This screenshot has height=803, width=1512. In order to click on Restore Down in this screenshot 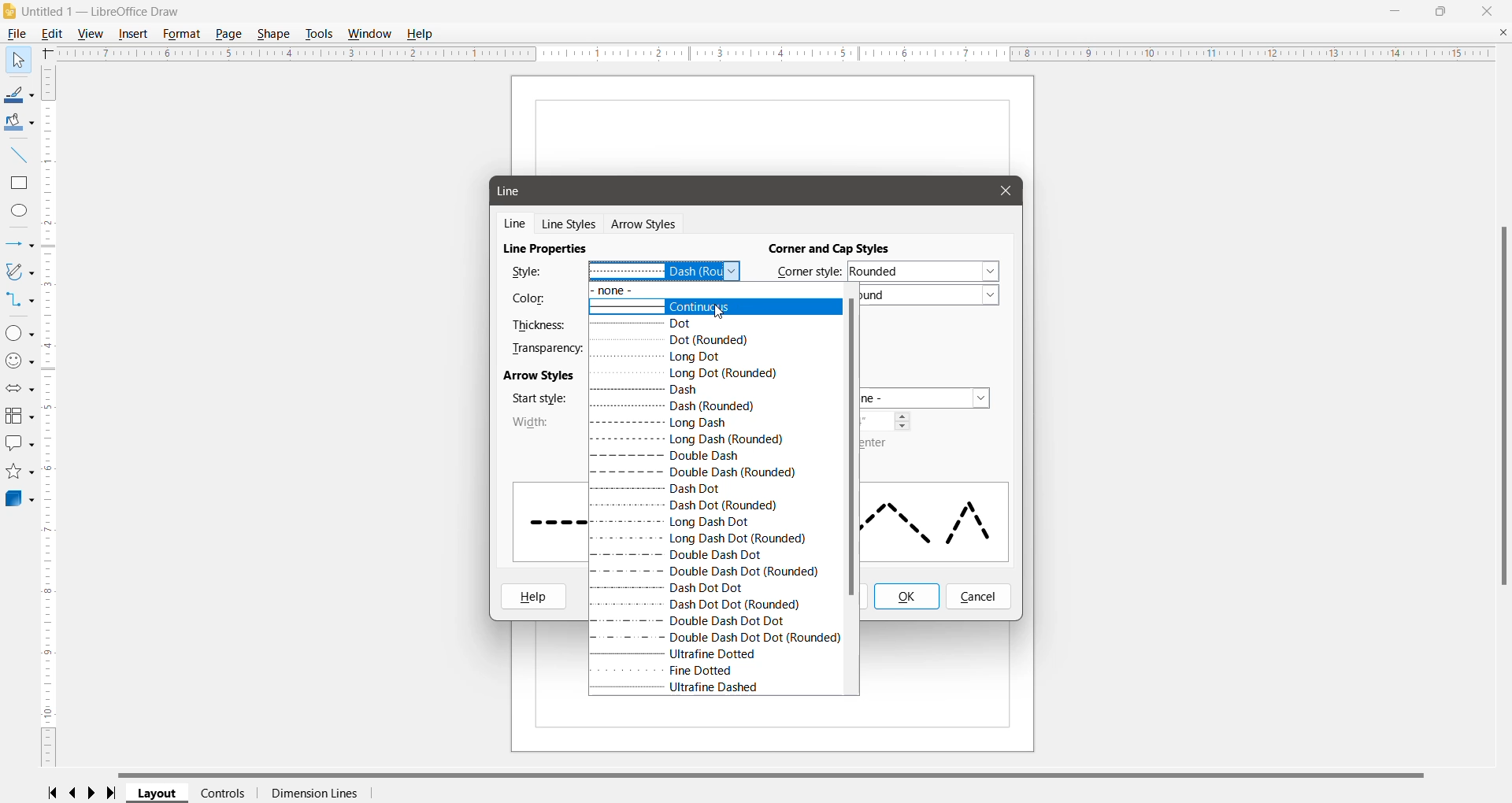, I will do `click(1442, 12)`.